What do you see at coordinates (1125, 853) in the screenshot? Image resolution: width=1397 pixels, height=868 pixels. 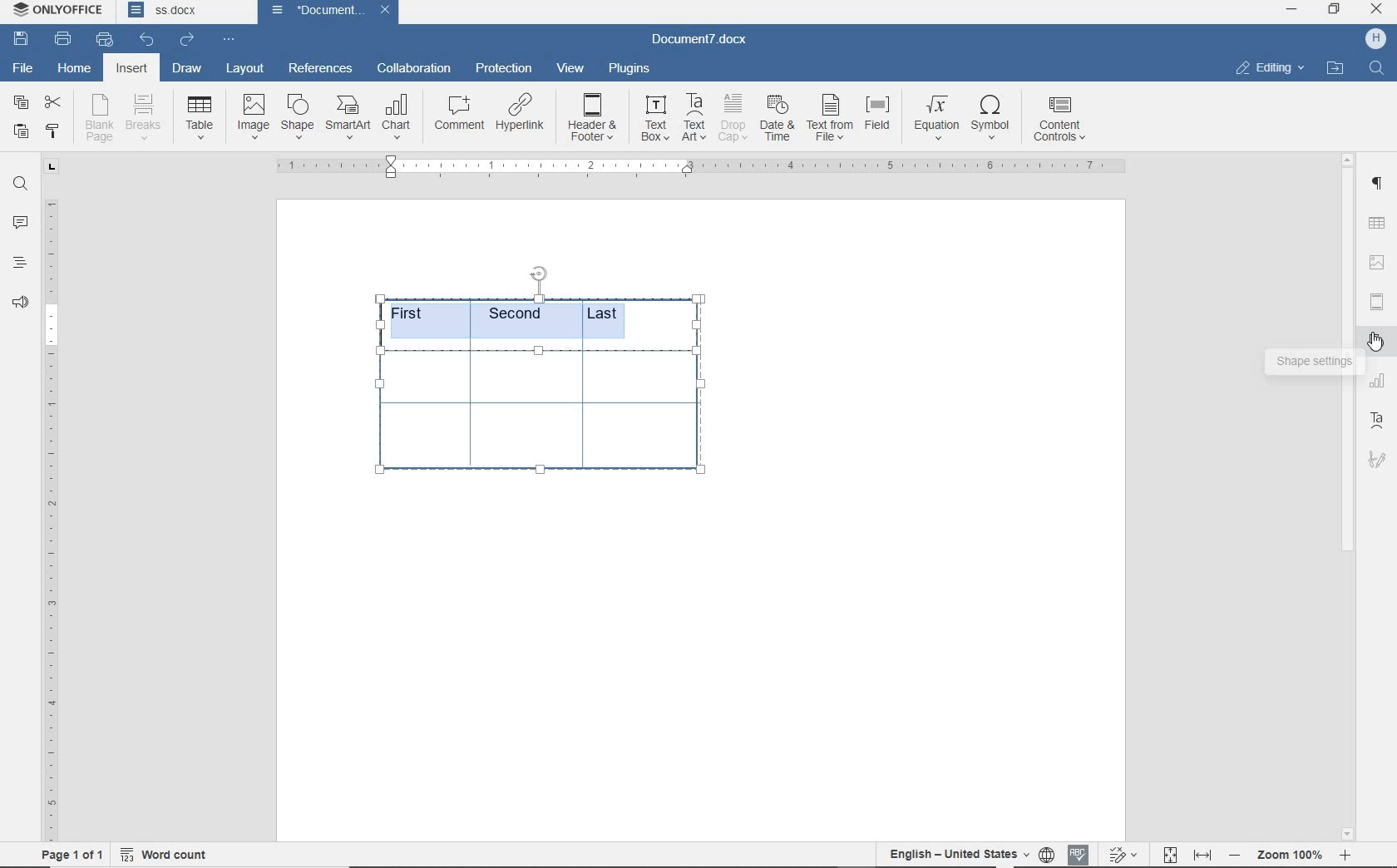 I see `track changes` at bounding box center [1125, 853].